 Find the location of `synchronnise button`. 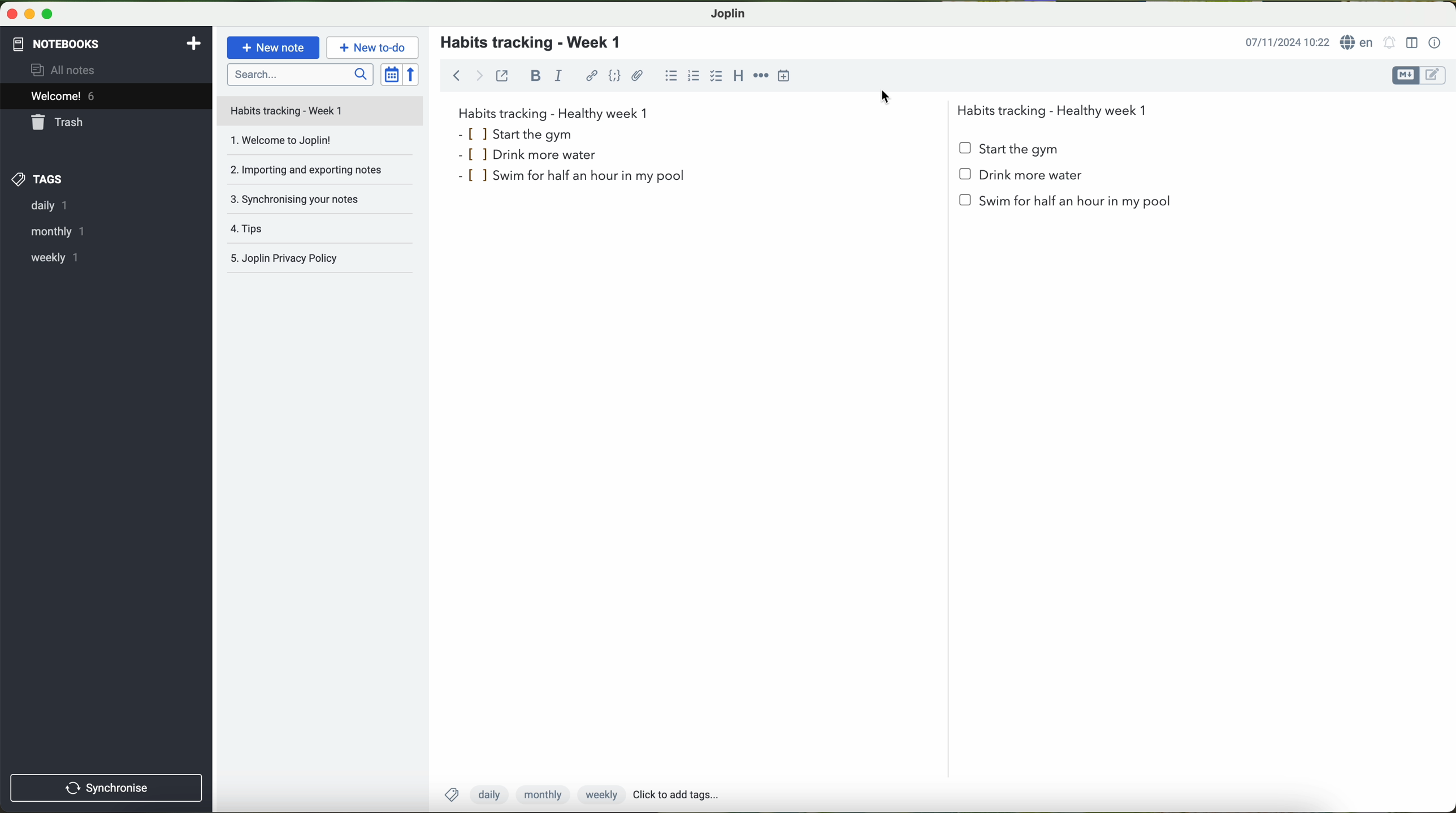

synchronnise button is located at coordinates (105, 789).